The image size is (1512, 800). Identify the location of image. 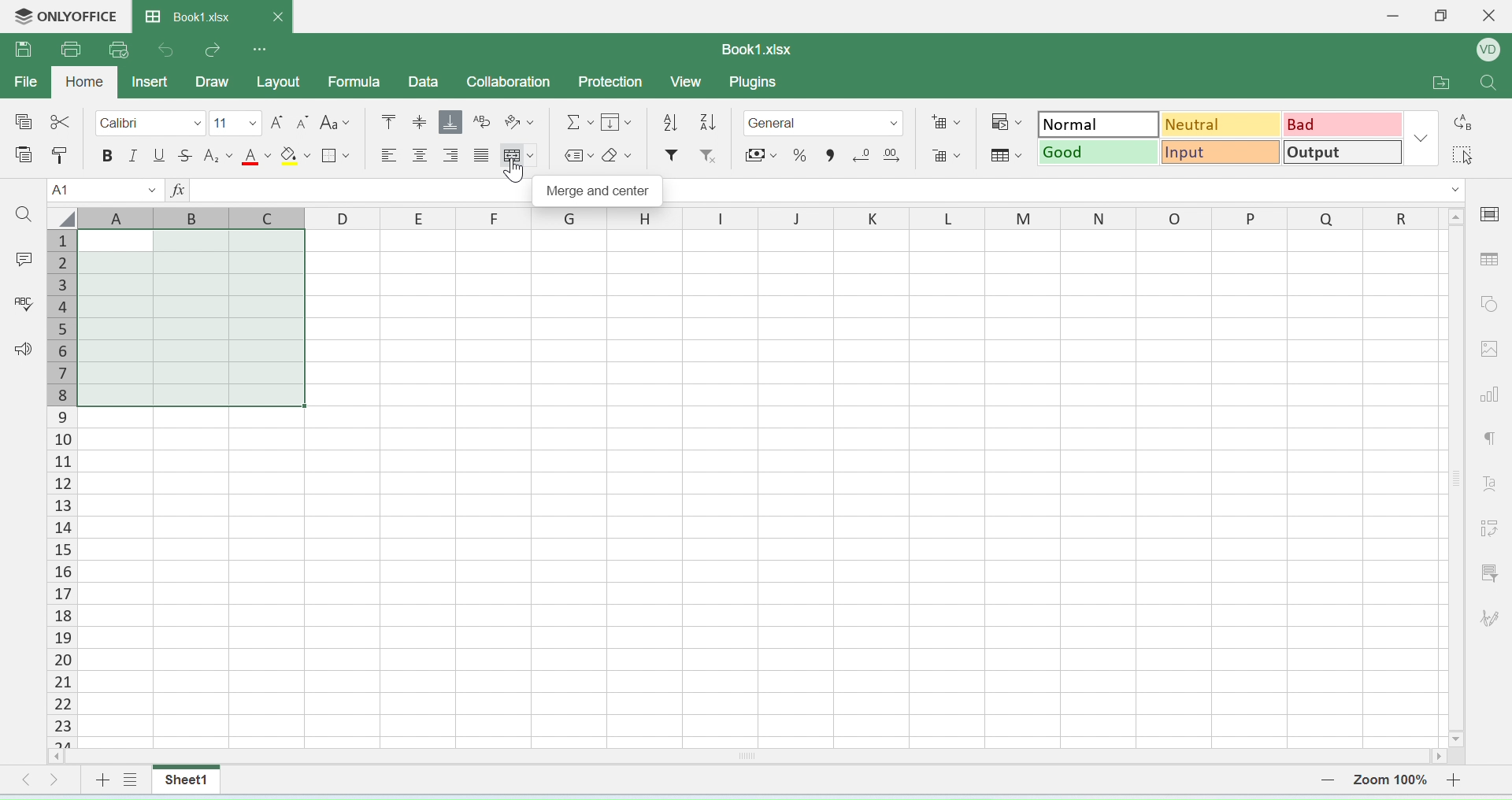
(1492, 352).